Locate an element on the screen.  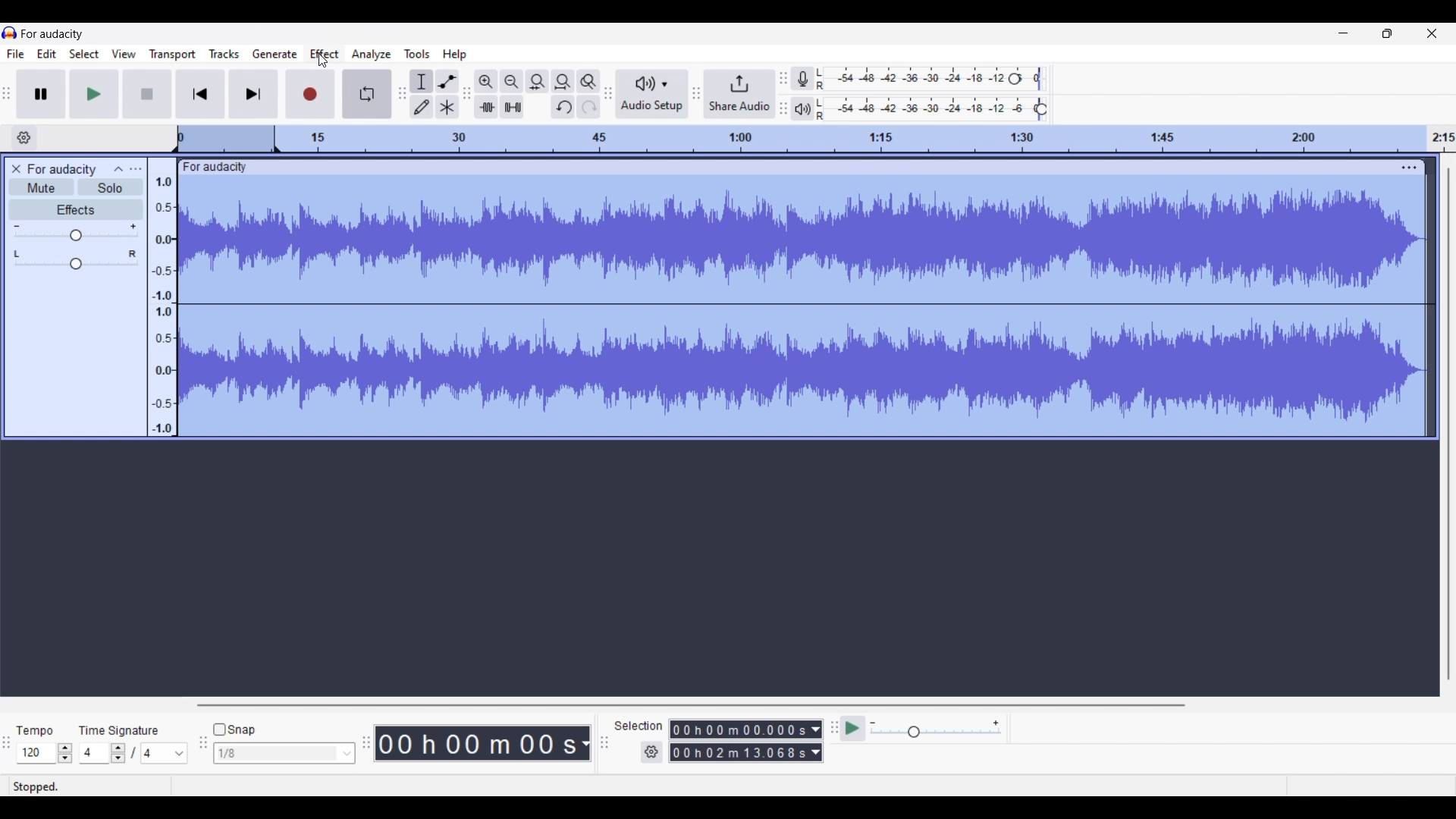
Share audio is located at coordinates (740, 94).